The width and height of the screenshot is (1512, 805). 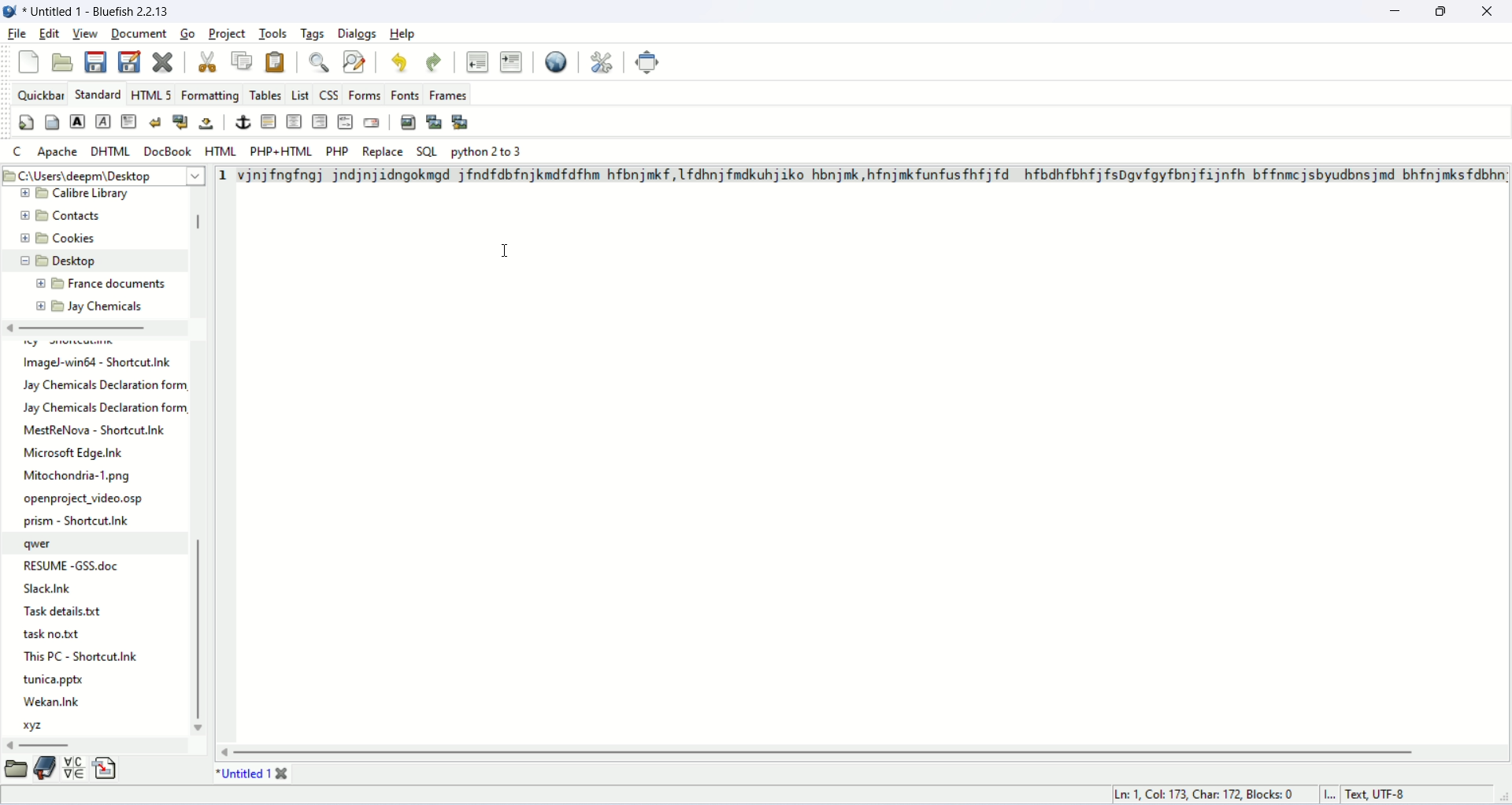 I want to click on paragraph, so click(x=129, y=121).